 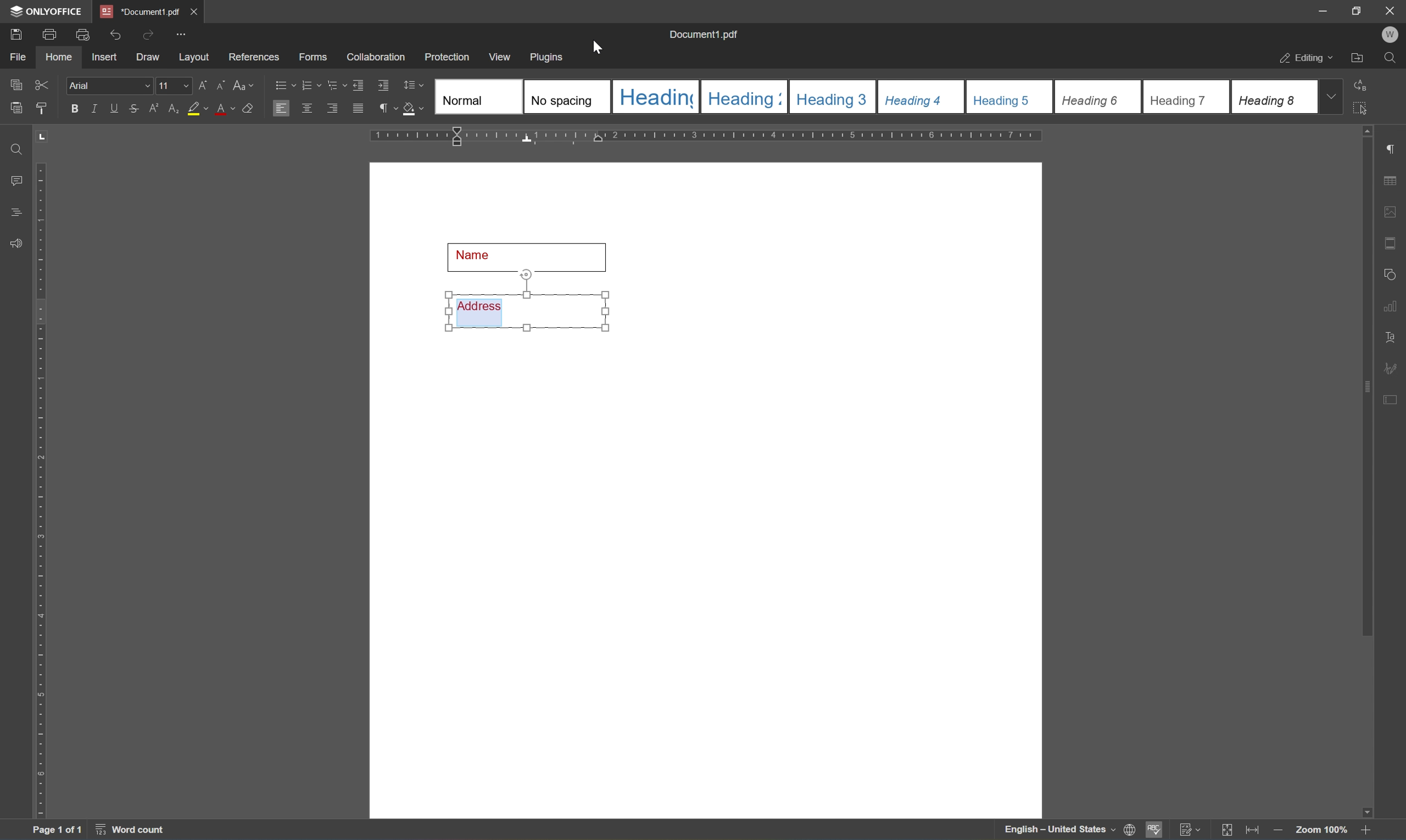 I want to click on decrement font size, so click(x=222, y=85).